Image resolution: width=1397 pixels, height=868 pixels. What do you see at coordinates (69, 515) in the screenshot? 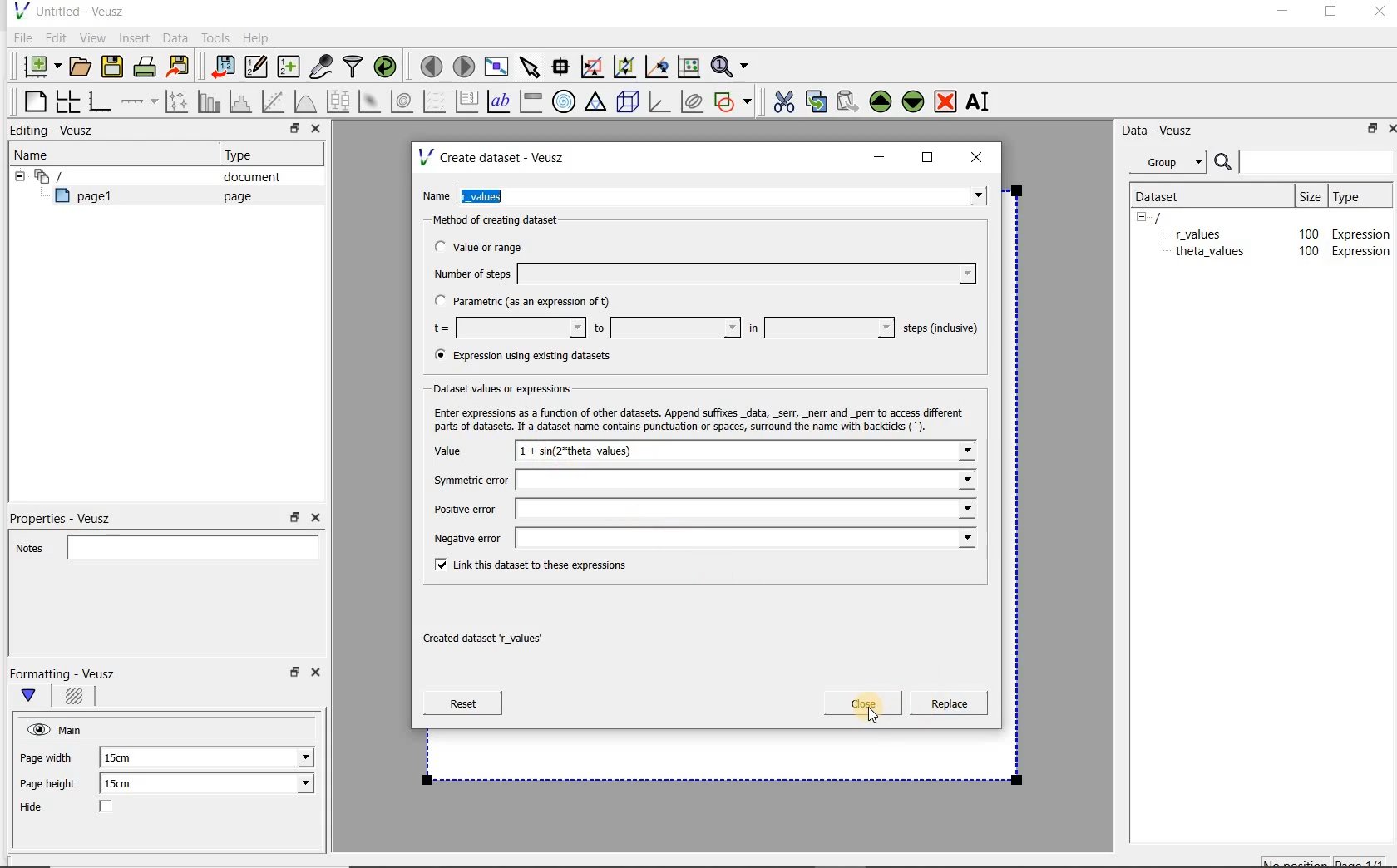
I see `Properties - Veusz` at bounding box center [69, 515].